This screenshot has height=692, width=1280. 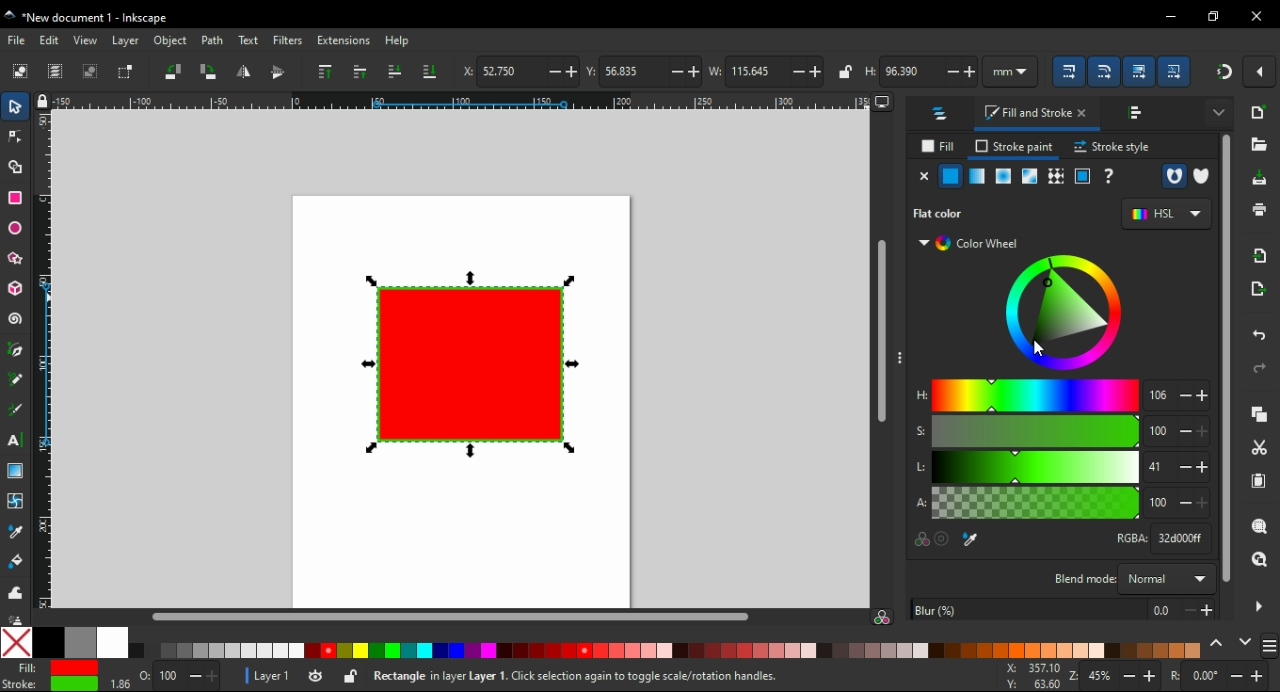 I want to click on 1.86, so click(x=118, y=683).